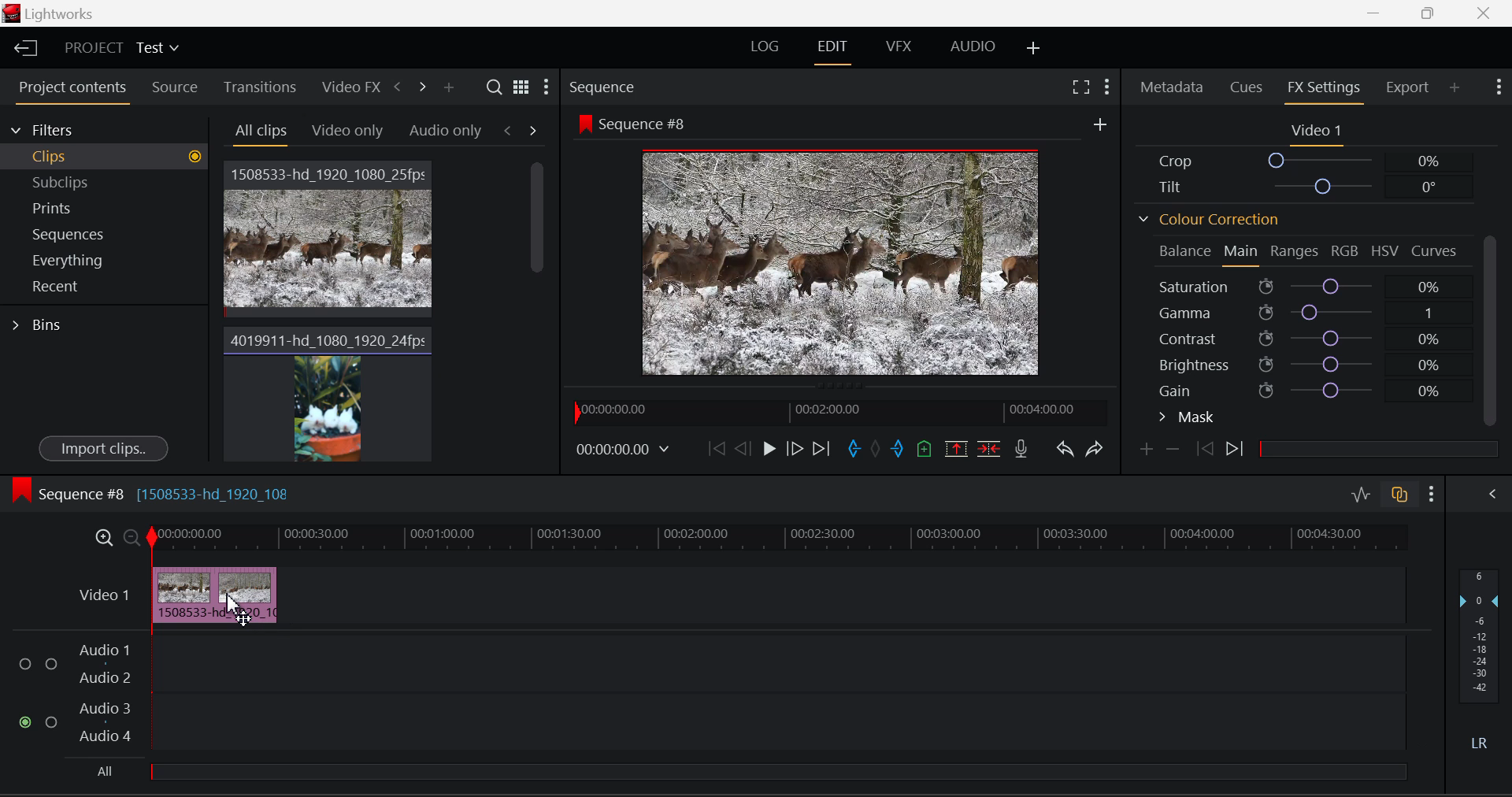  Describe the element at coordinates (1477, 743) in the screenshot. I see `Left Round Sound Button` at that location.